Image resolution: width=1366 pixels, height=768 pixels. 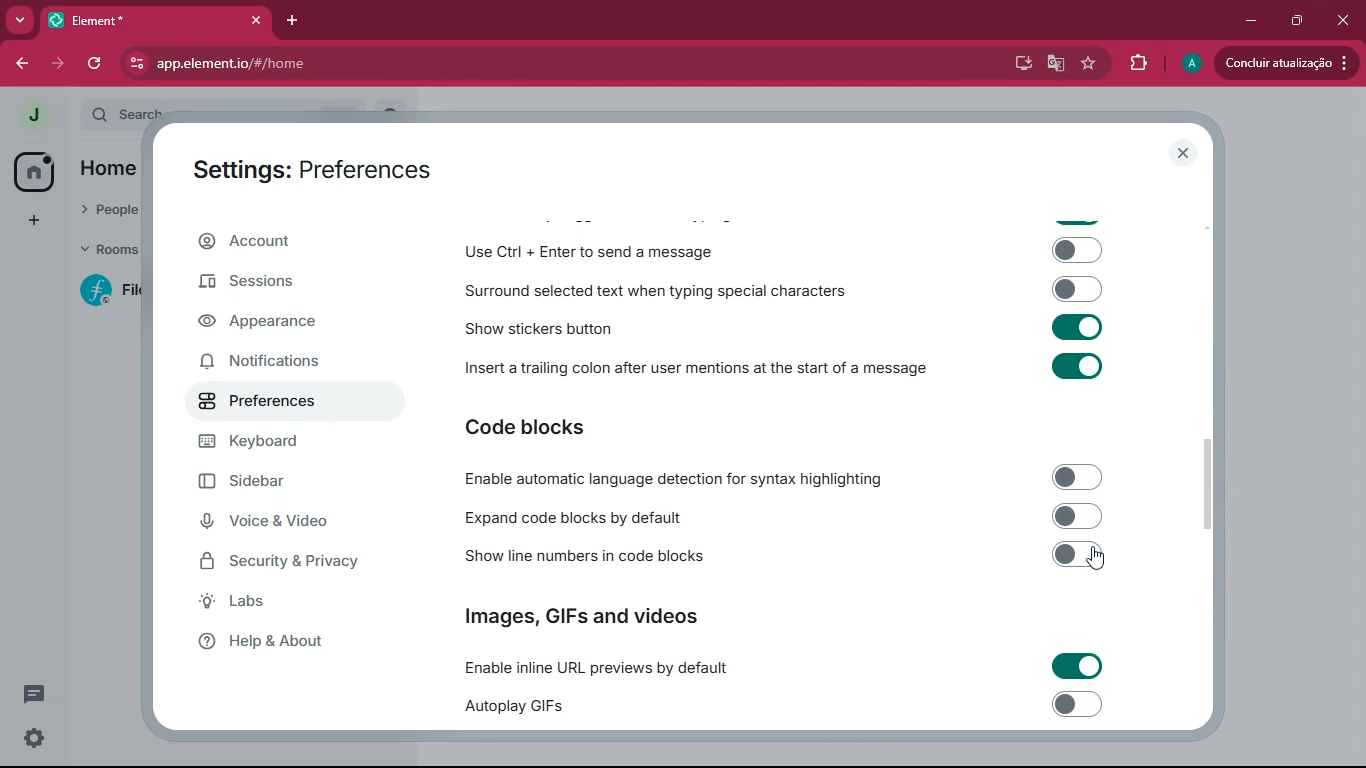 What do you see at coordinates (267, 323) in the screenshot?
I see `appearance` at bounding box center [267, 323].